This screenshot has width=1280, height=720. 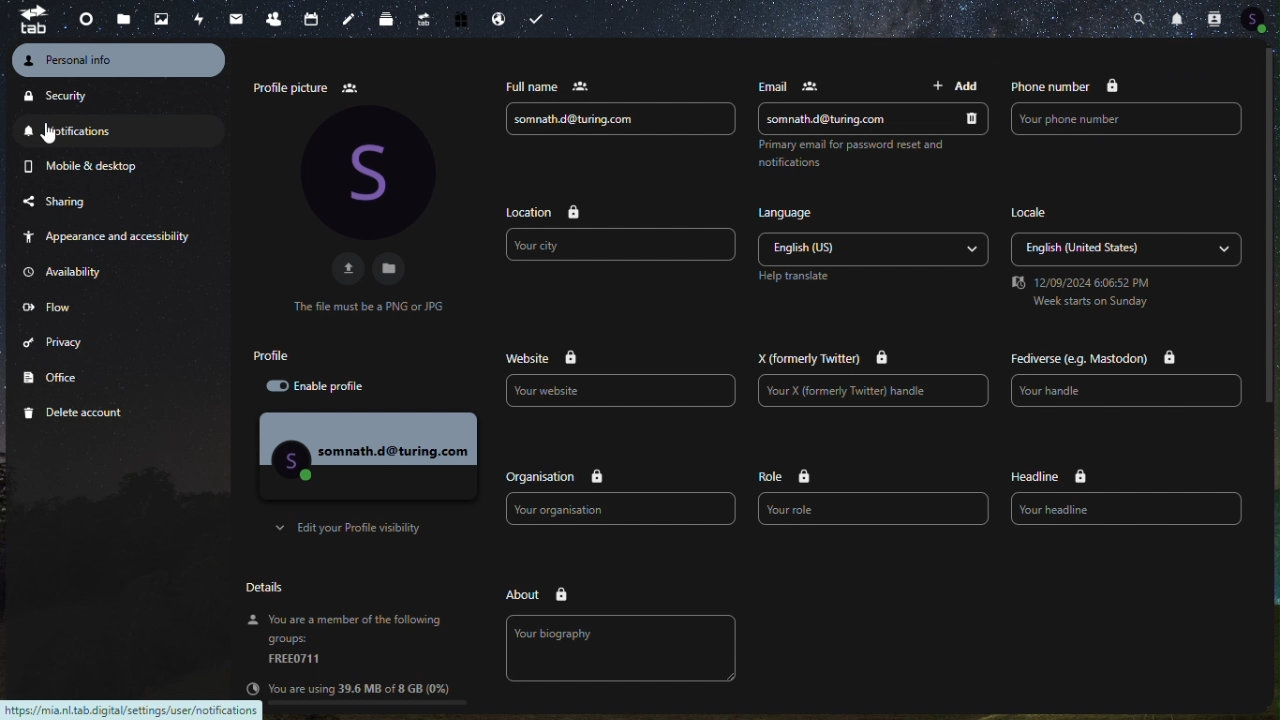 What do you see at coordinates (422, 20) in the screenshot?
I see `upgrade` at bounding box center [422, 20].